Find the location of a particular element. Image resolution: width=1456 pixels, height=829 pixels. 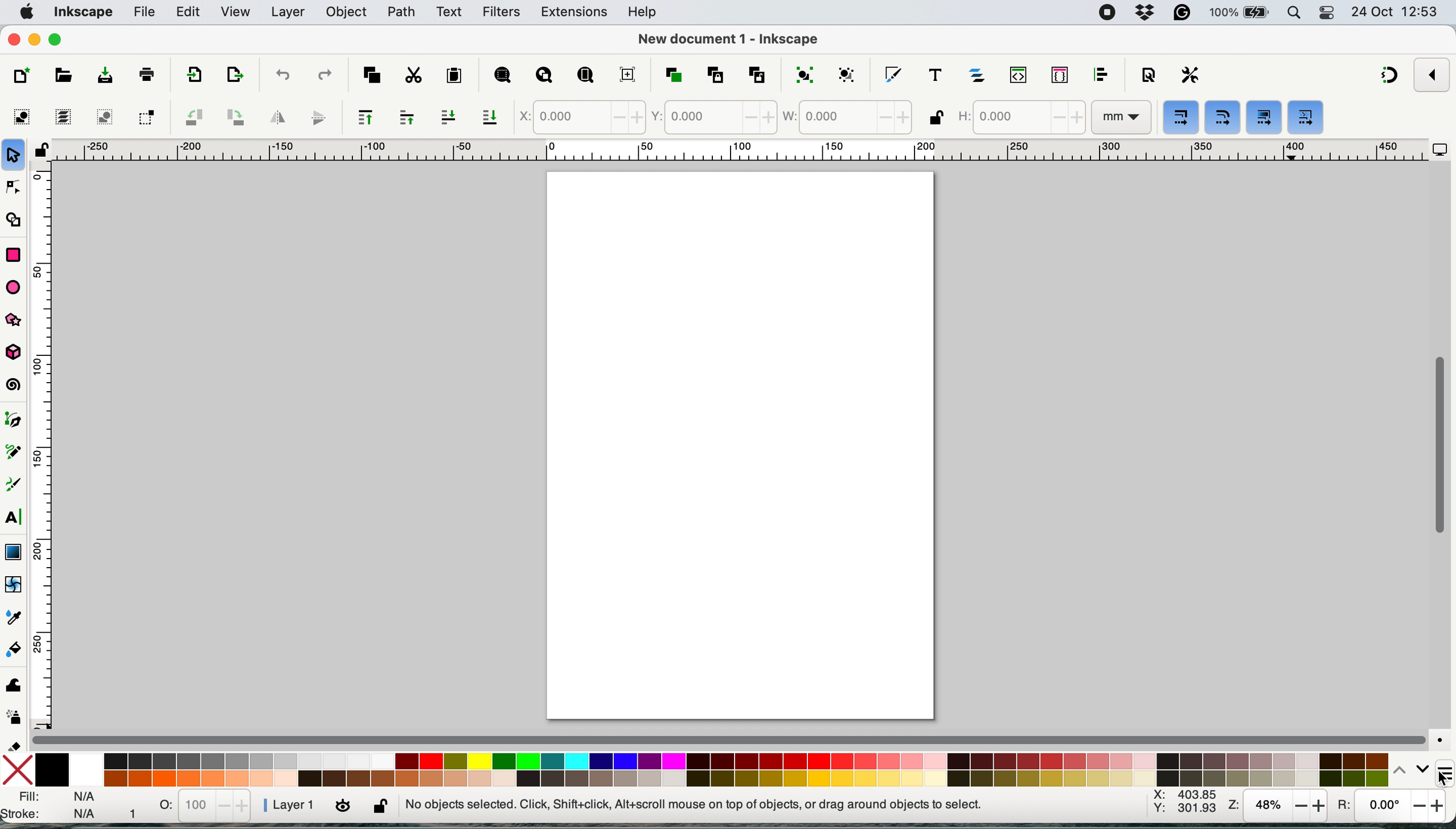

24 oct 12:53 is located at coordinates (1396, 14).